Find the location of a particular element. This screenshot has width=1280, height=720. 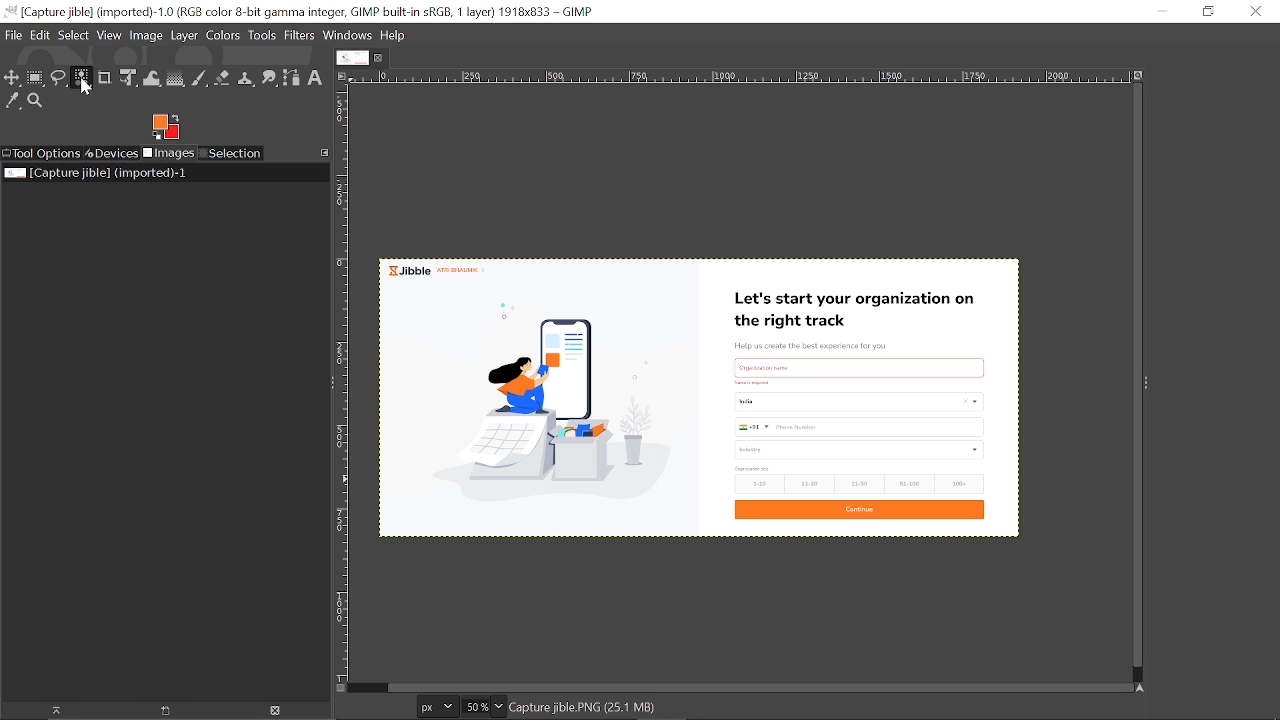

Edit is located at coordinates (41, 34).